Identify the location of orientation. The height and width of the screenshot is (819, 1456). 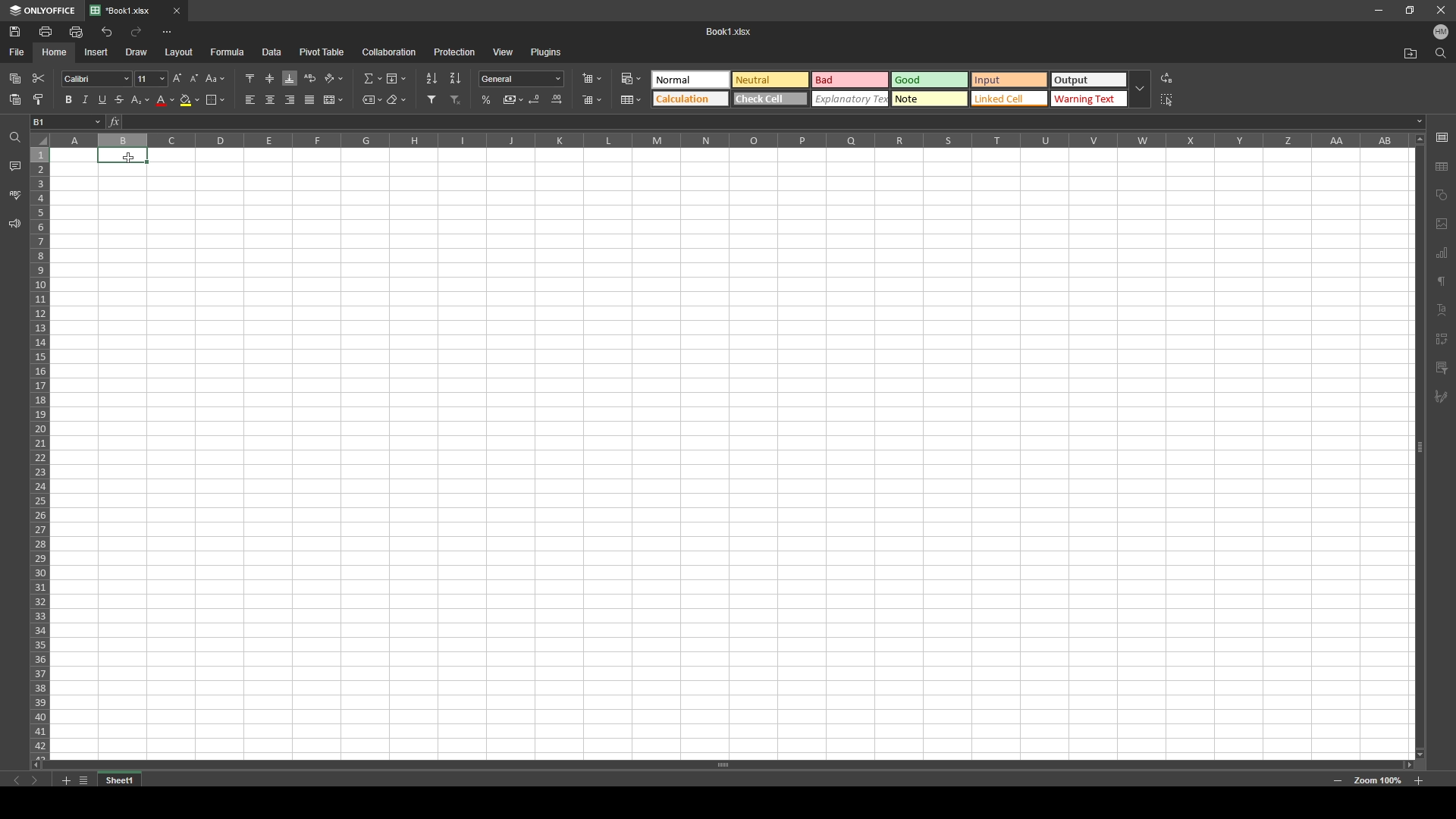
(335, 78).